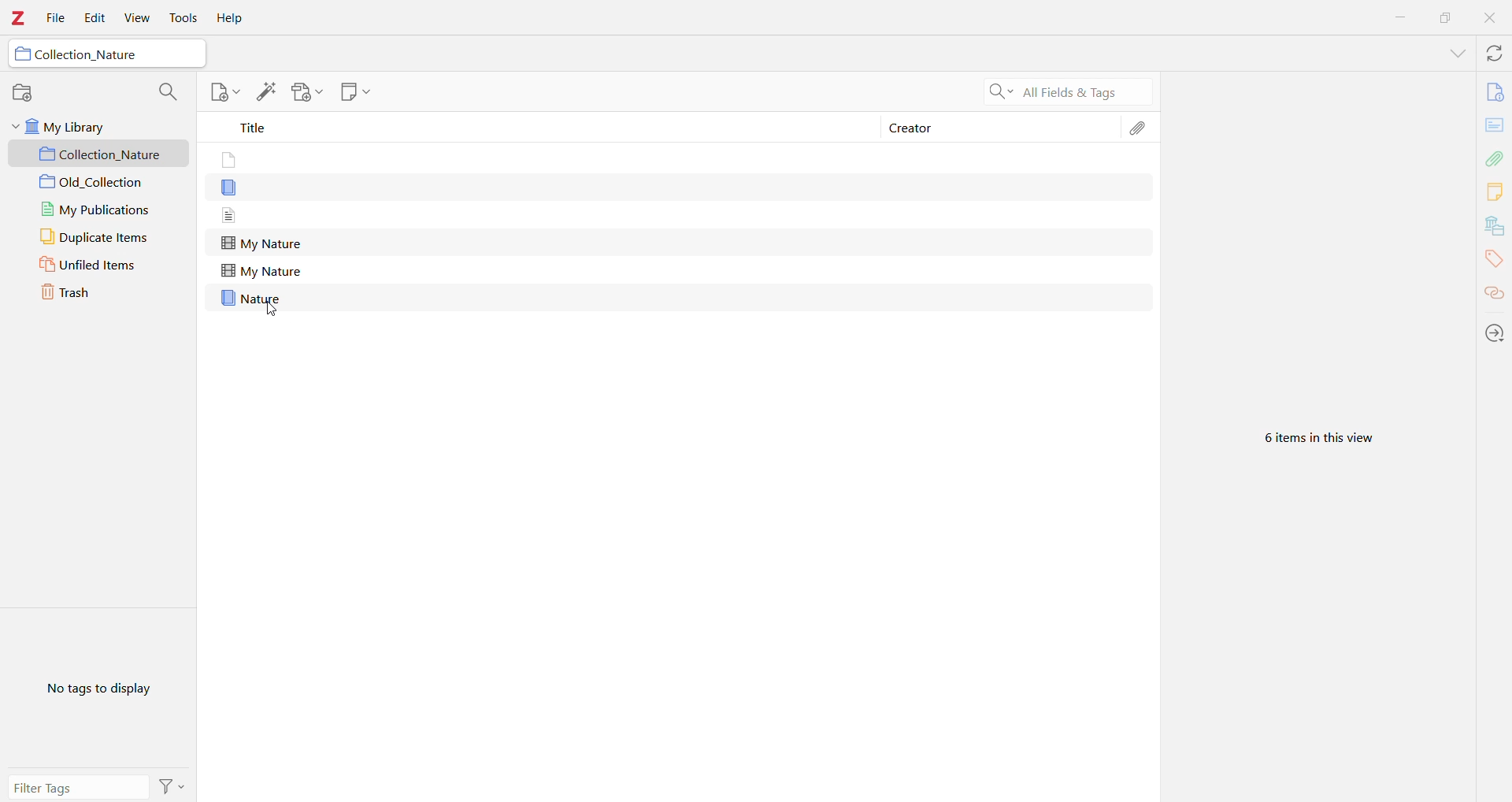 Image resolution: width=1512 pixels, height=802 pixels. I want to click on New Note, so click(354, 91).